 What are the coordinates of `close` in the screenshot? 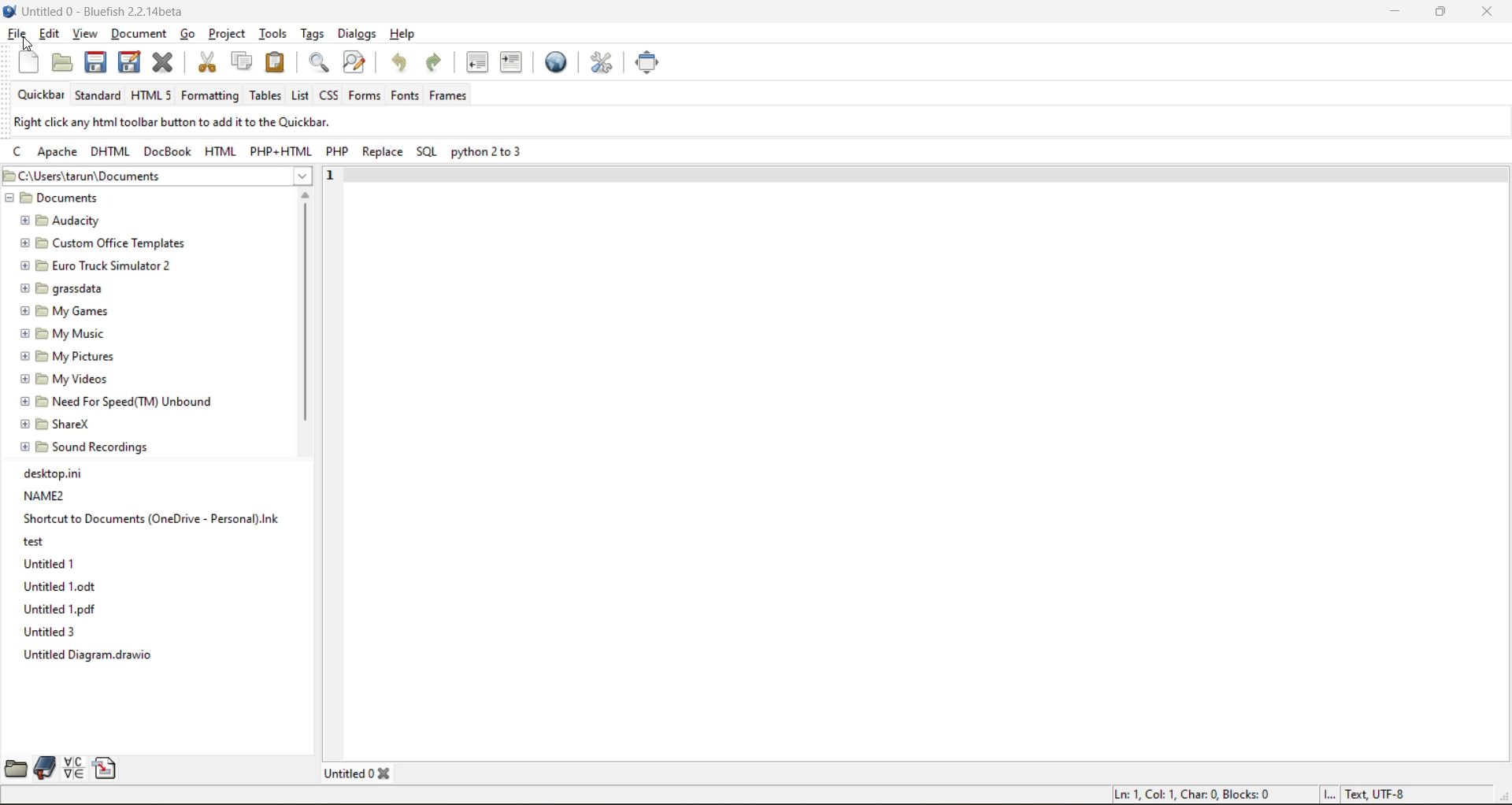 It's located at (1490, 11).